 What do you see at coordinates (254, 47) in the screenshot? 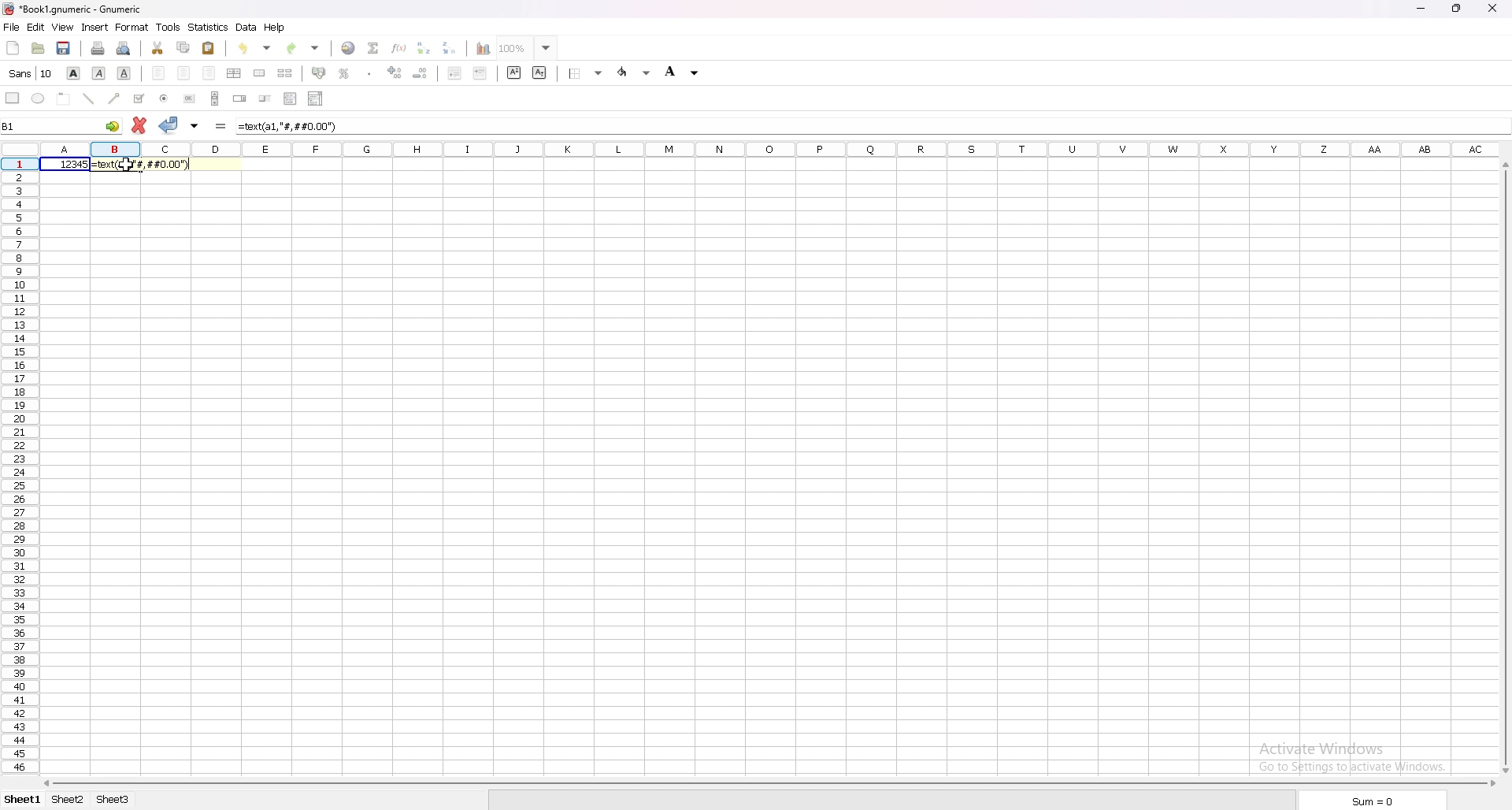
I see `undo` at bounding box center [254, 47].